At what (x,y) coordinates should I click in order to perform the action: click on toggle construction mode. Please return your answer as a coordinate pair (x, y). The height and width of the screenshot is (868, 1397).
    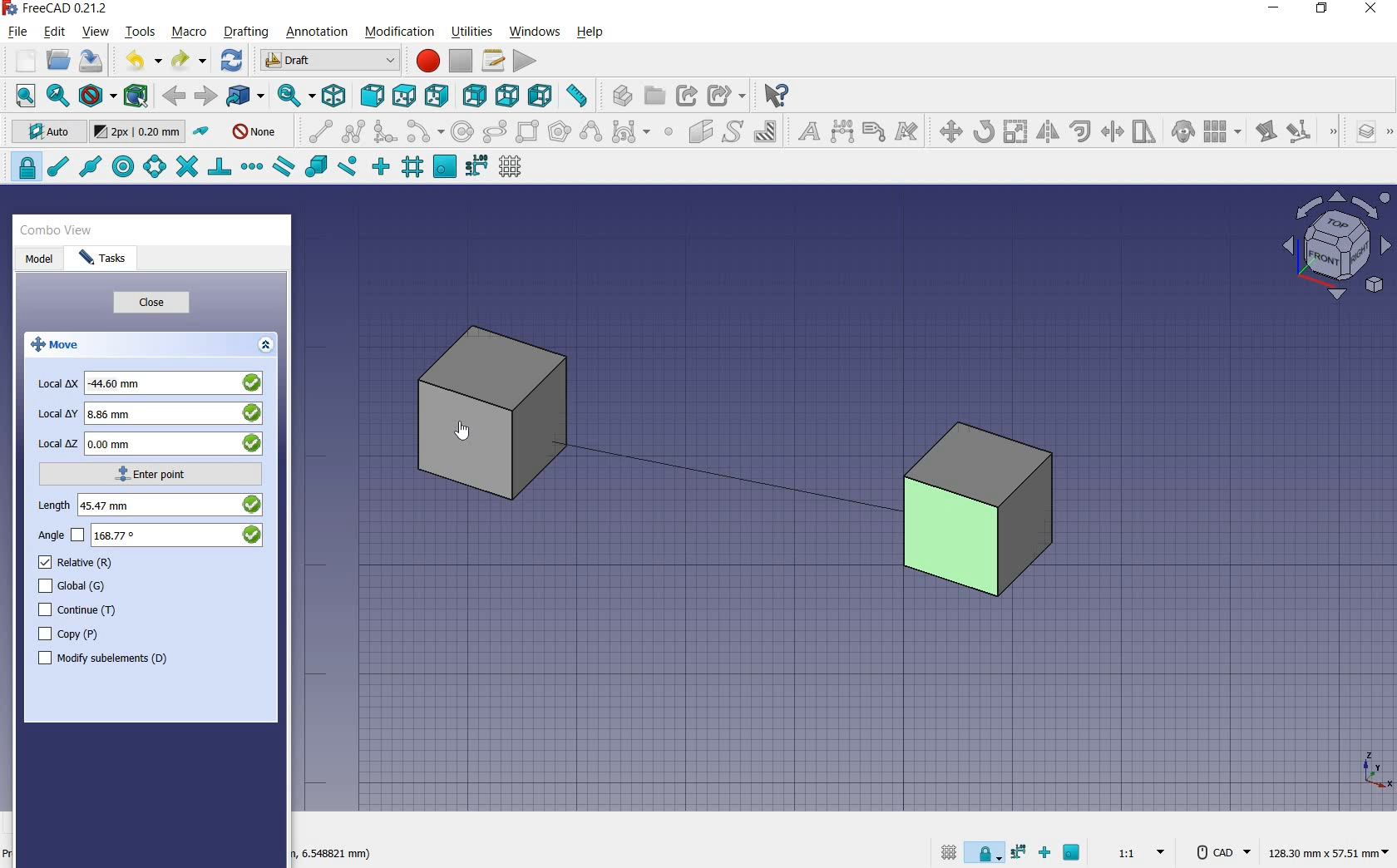
    Looking at the image, I should click on (203, 132).